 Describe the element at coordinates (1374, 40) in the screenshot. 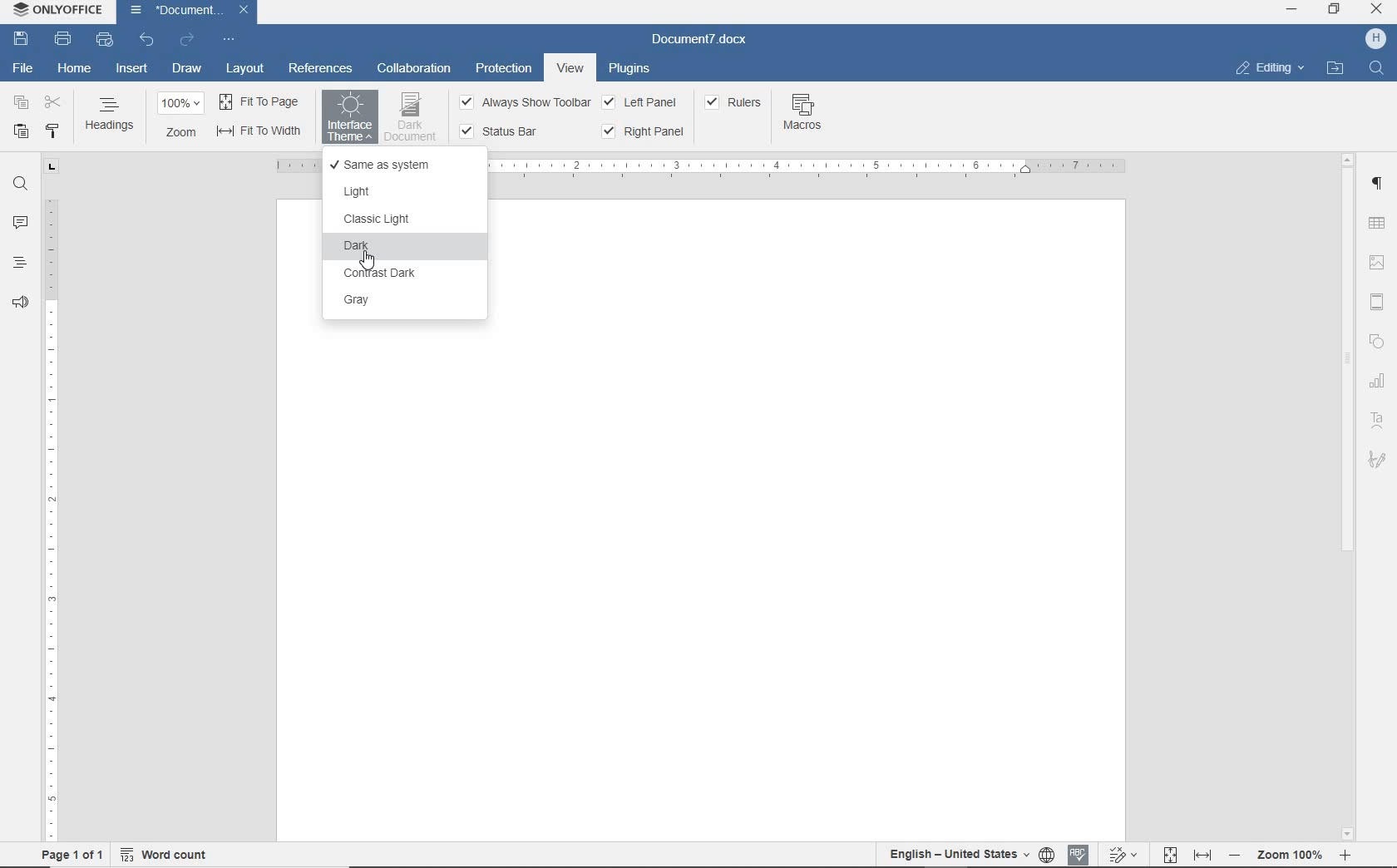

I see `HP` at that location.